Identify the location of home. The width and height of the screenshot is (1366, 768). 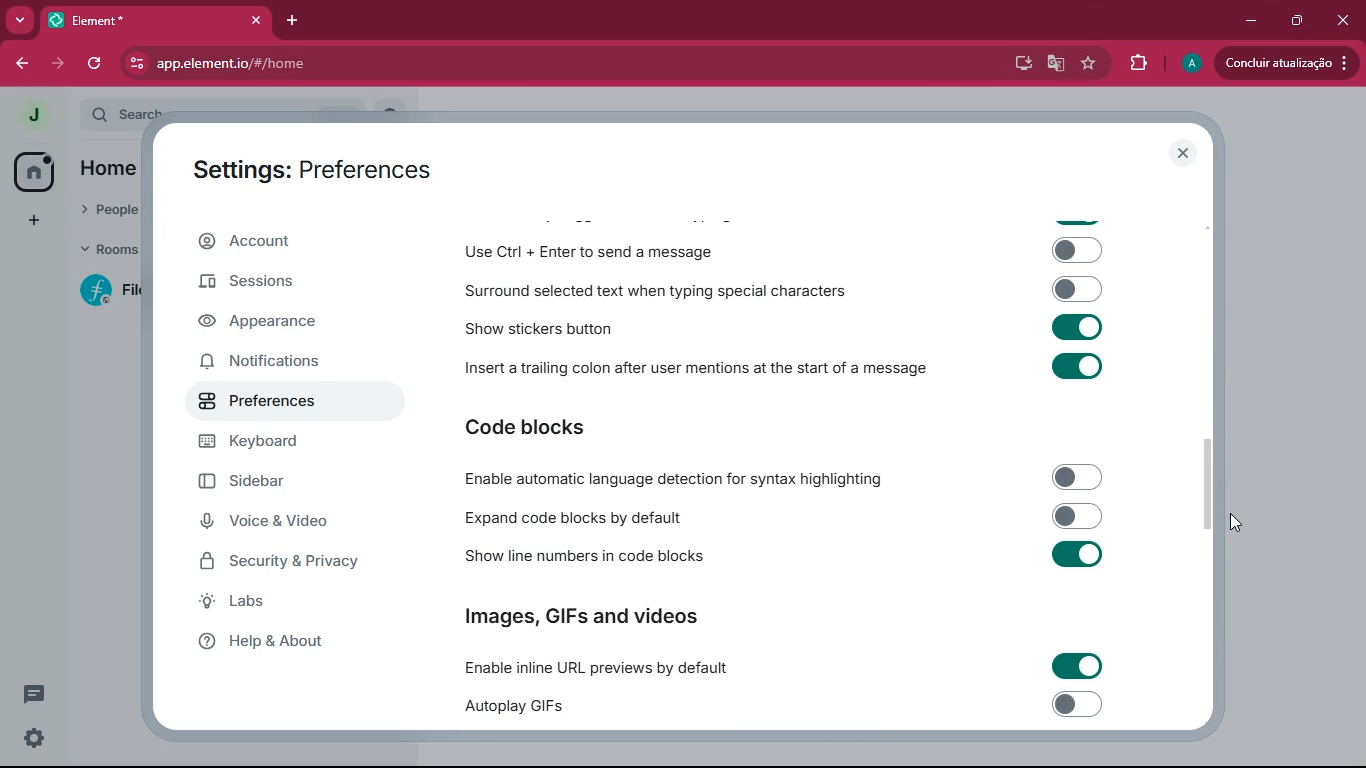
(103, 168).